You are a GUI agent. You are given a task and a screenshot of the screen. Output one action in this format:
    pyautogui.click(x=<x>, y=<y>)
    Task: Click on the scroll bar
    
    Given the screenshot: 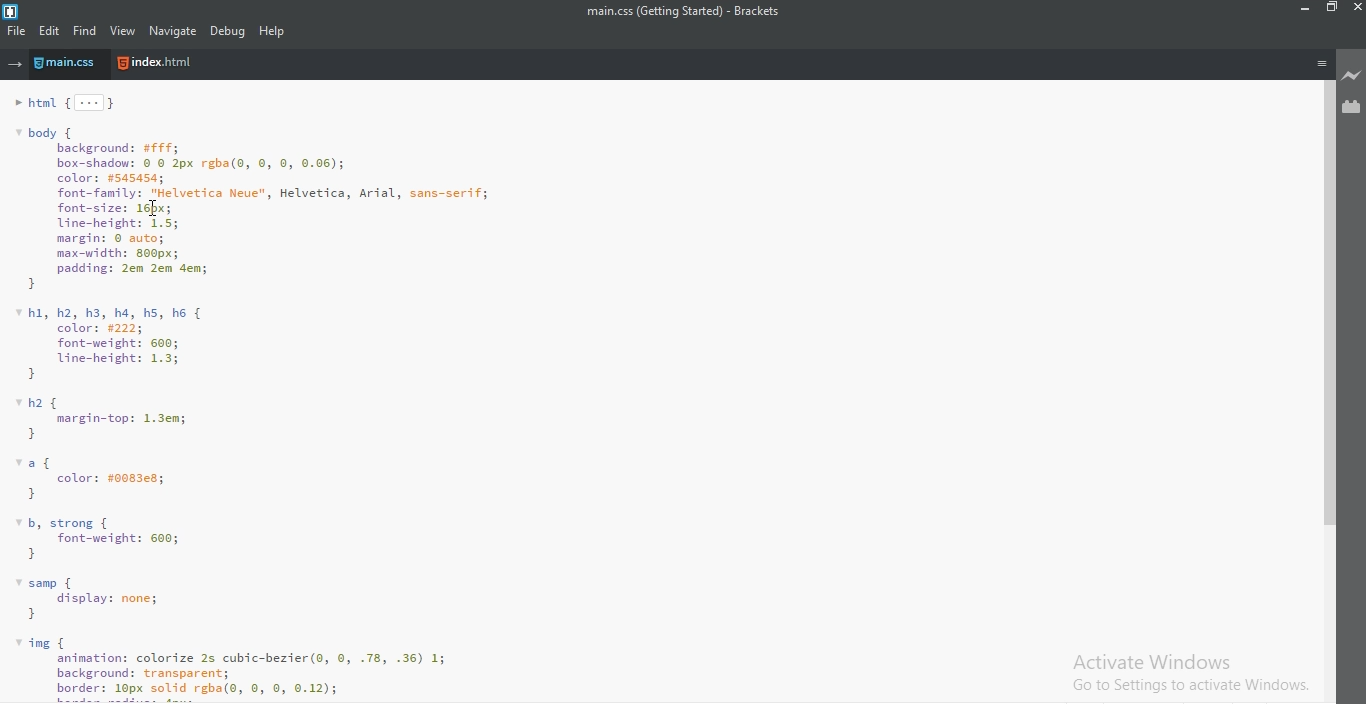 What is the action you would take?
    pyautogui.click(x=1324, y=302)
    